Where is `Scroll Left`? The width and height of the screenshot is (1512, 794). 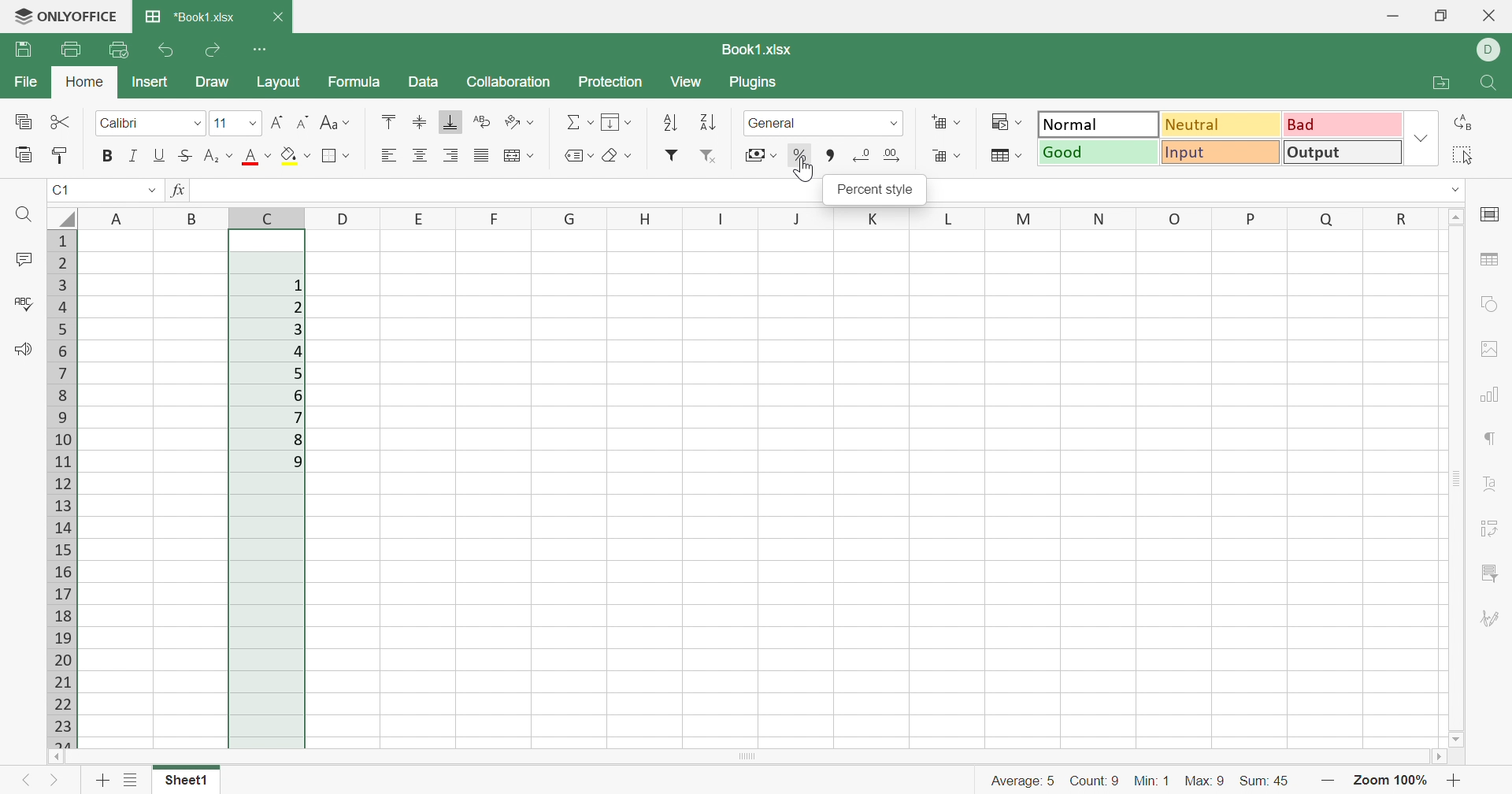 Scroll Left is located at coordinates (55, 758).